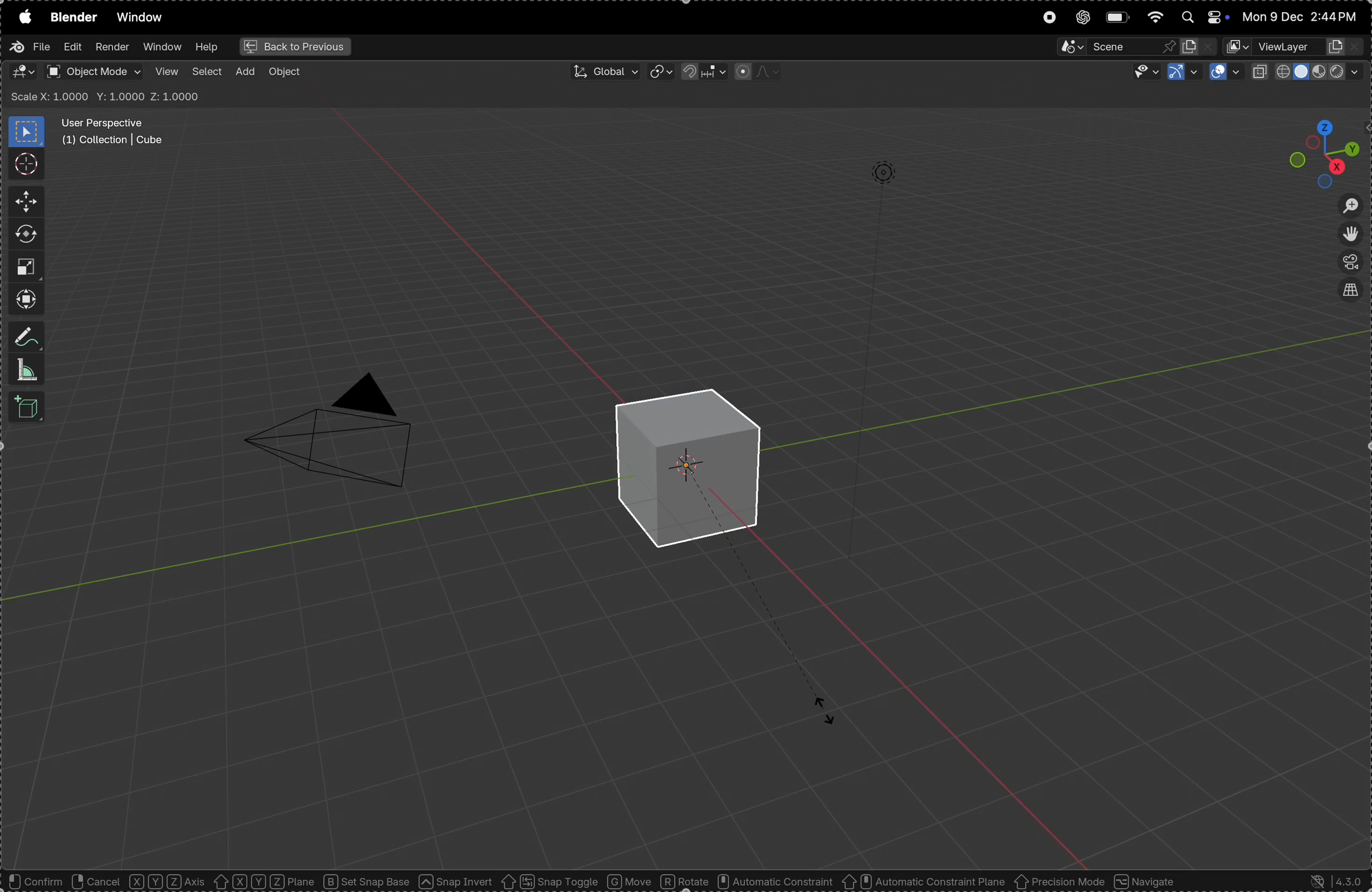 Image resolution: width=1372 pixels, height=892 pixels. Describe the element at coordinates (1134, 48) in the screenshot. I see `secene` at that location.